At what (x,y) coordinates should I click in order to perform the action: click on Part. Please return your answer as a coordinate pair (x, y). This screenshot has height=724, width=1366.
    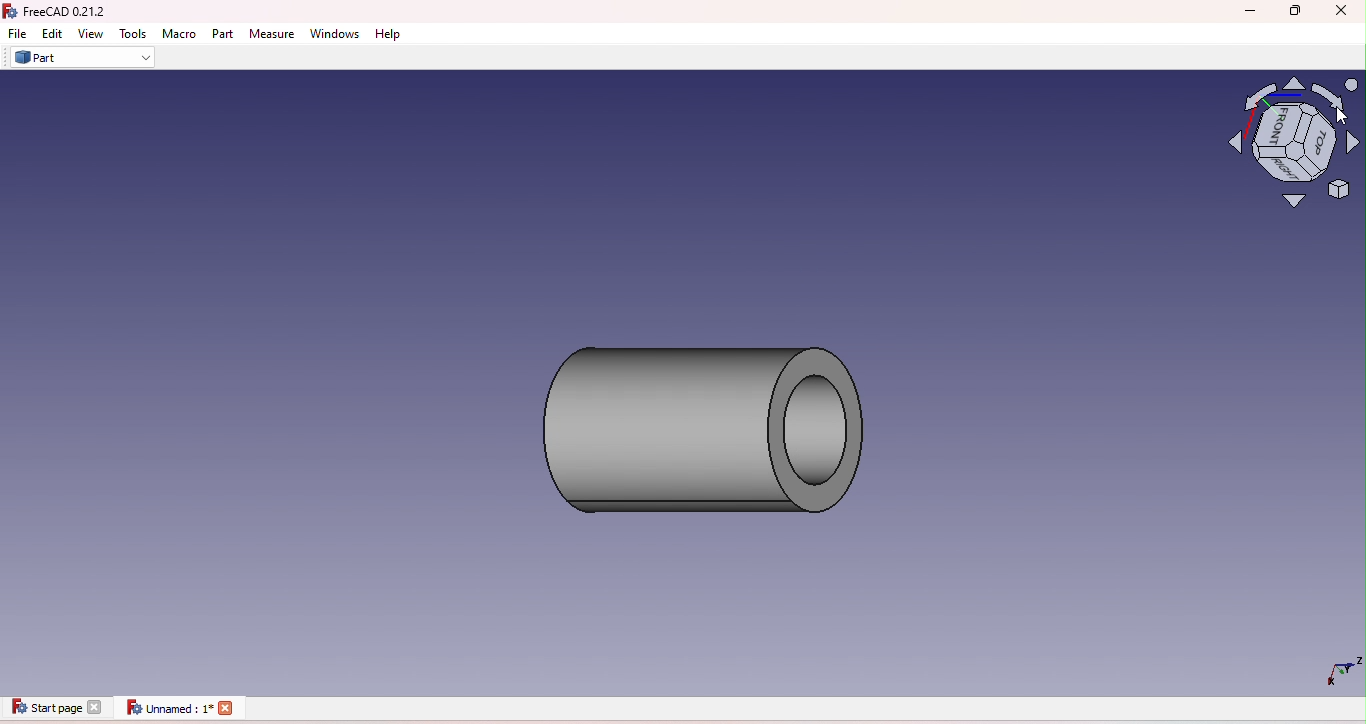
    Looking at the image, I should click on (85, 58).